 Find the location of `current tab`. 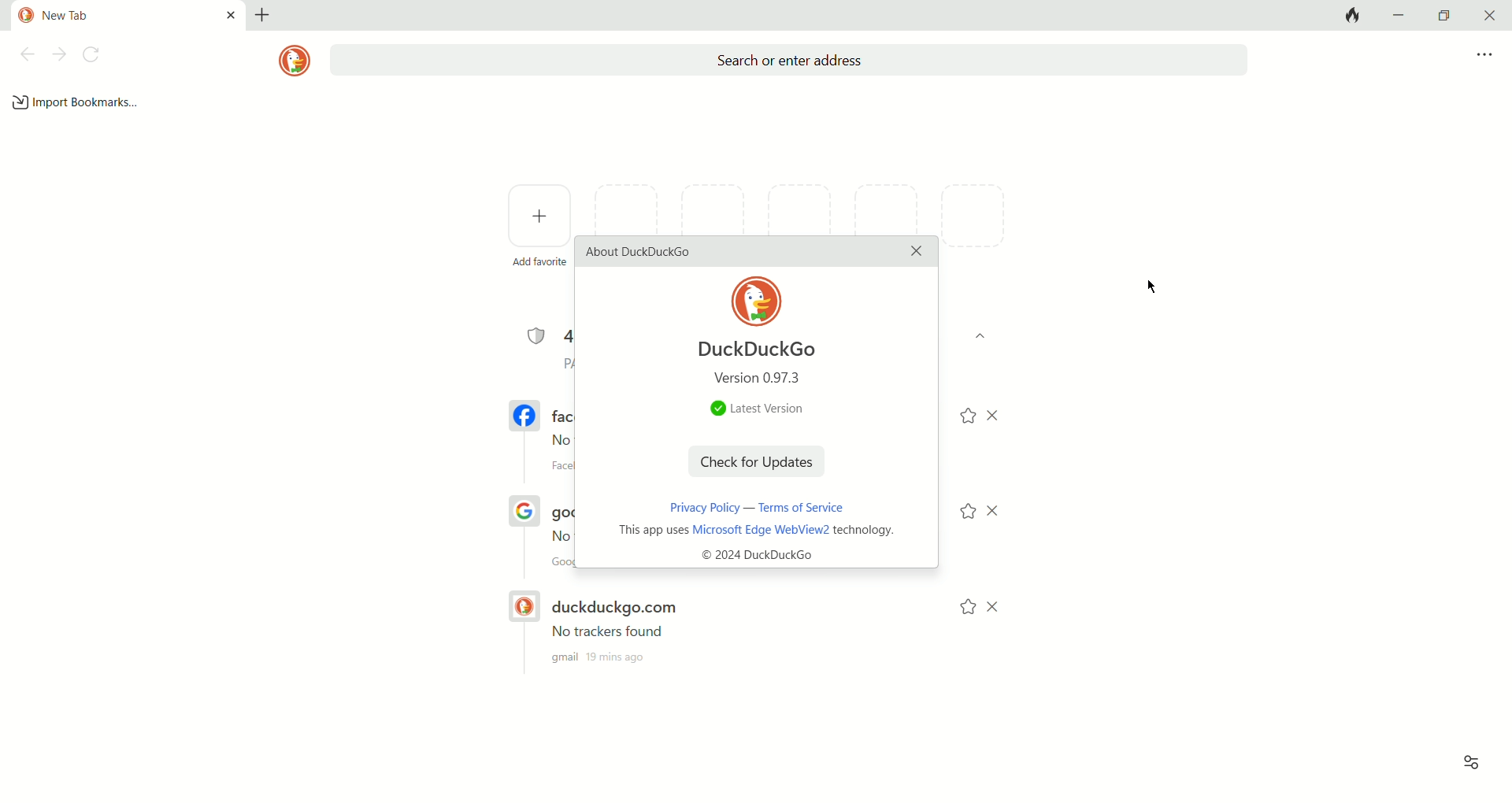

current tab is located at coordinates (120, 15).